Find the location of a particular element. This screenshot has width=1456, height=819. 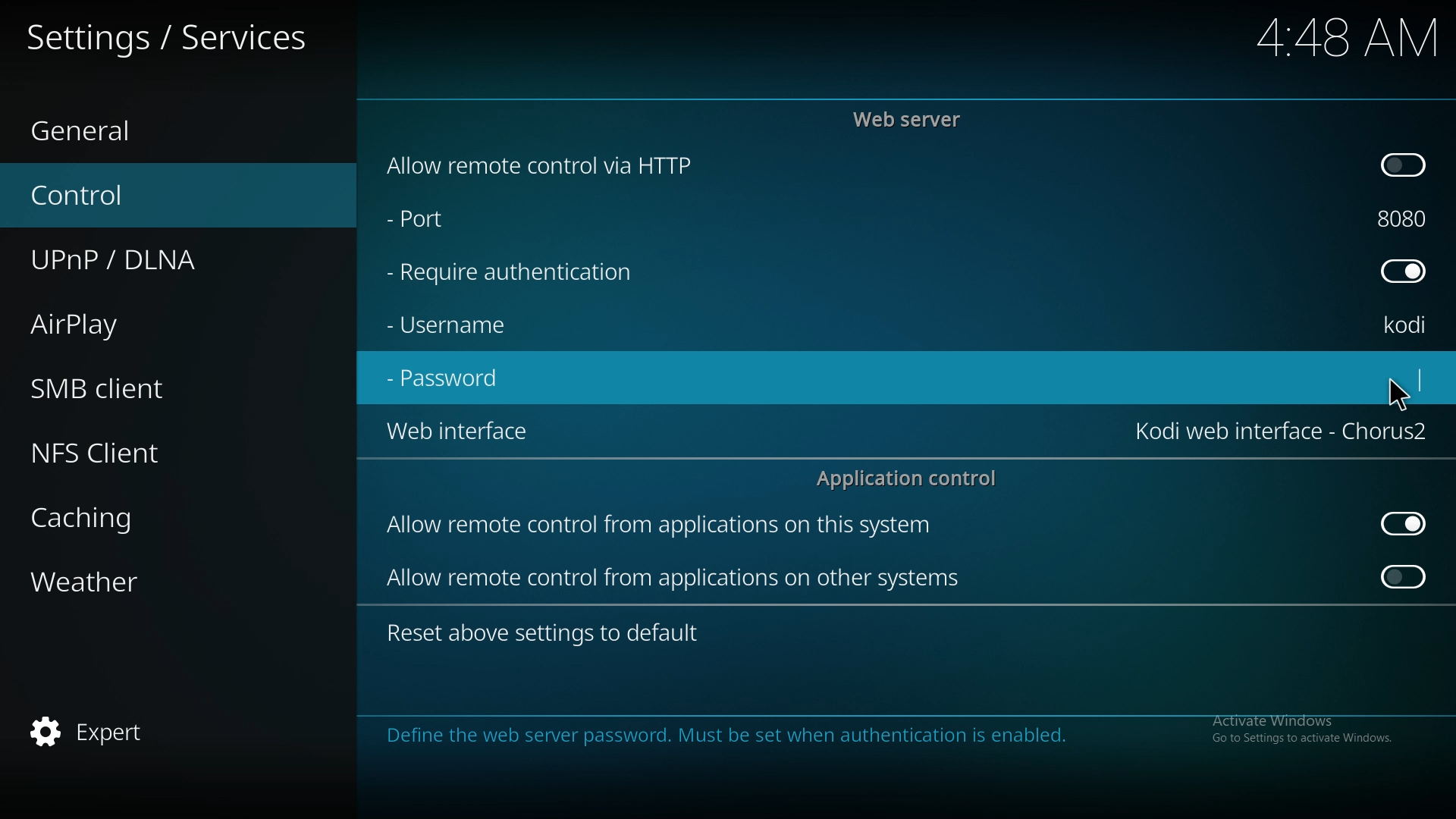

on is located at coordinates (1406, 167).